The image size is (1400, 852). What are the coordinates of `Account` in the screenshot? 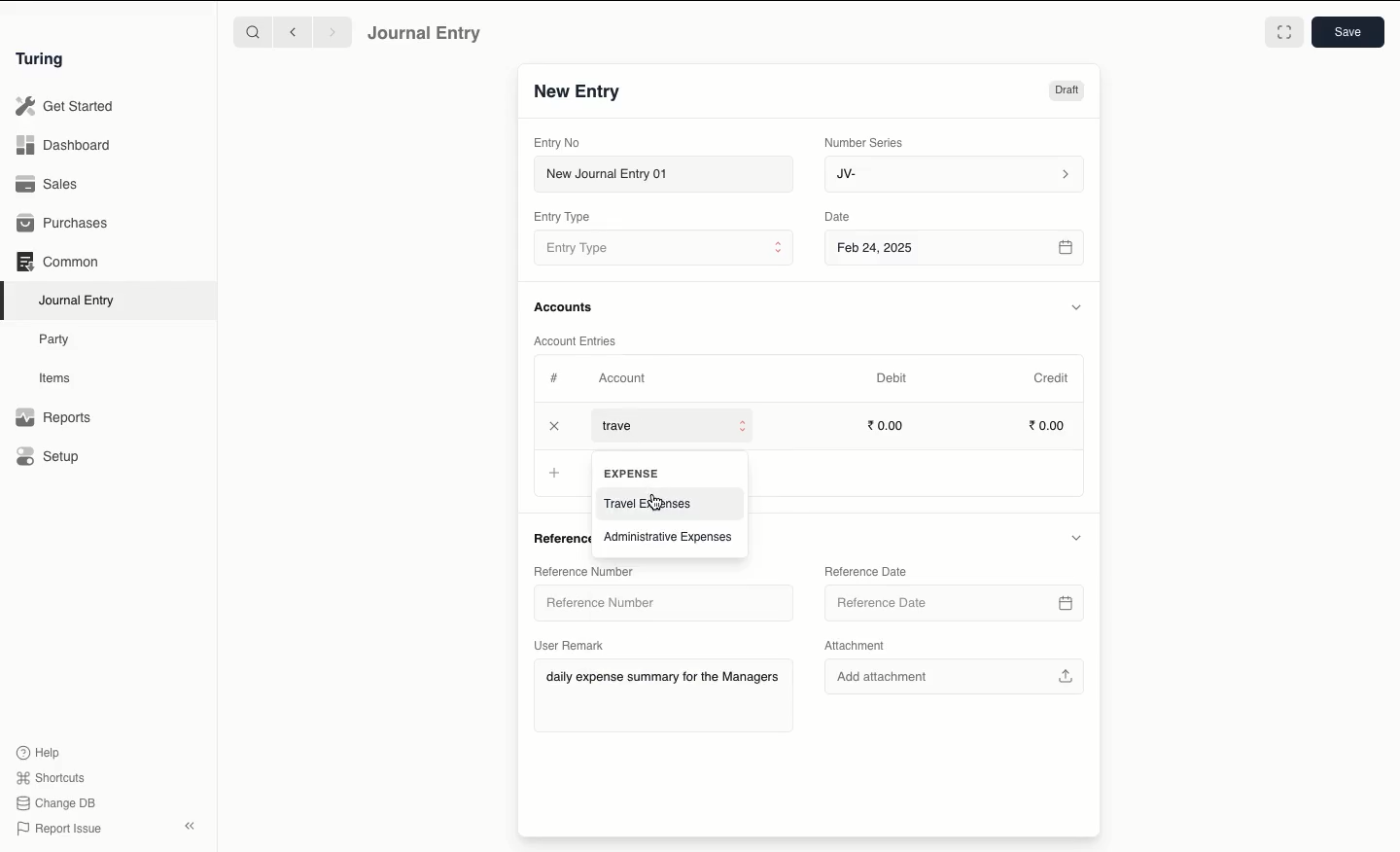 It's located at (623, 378).